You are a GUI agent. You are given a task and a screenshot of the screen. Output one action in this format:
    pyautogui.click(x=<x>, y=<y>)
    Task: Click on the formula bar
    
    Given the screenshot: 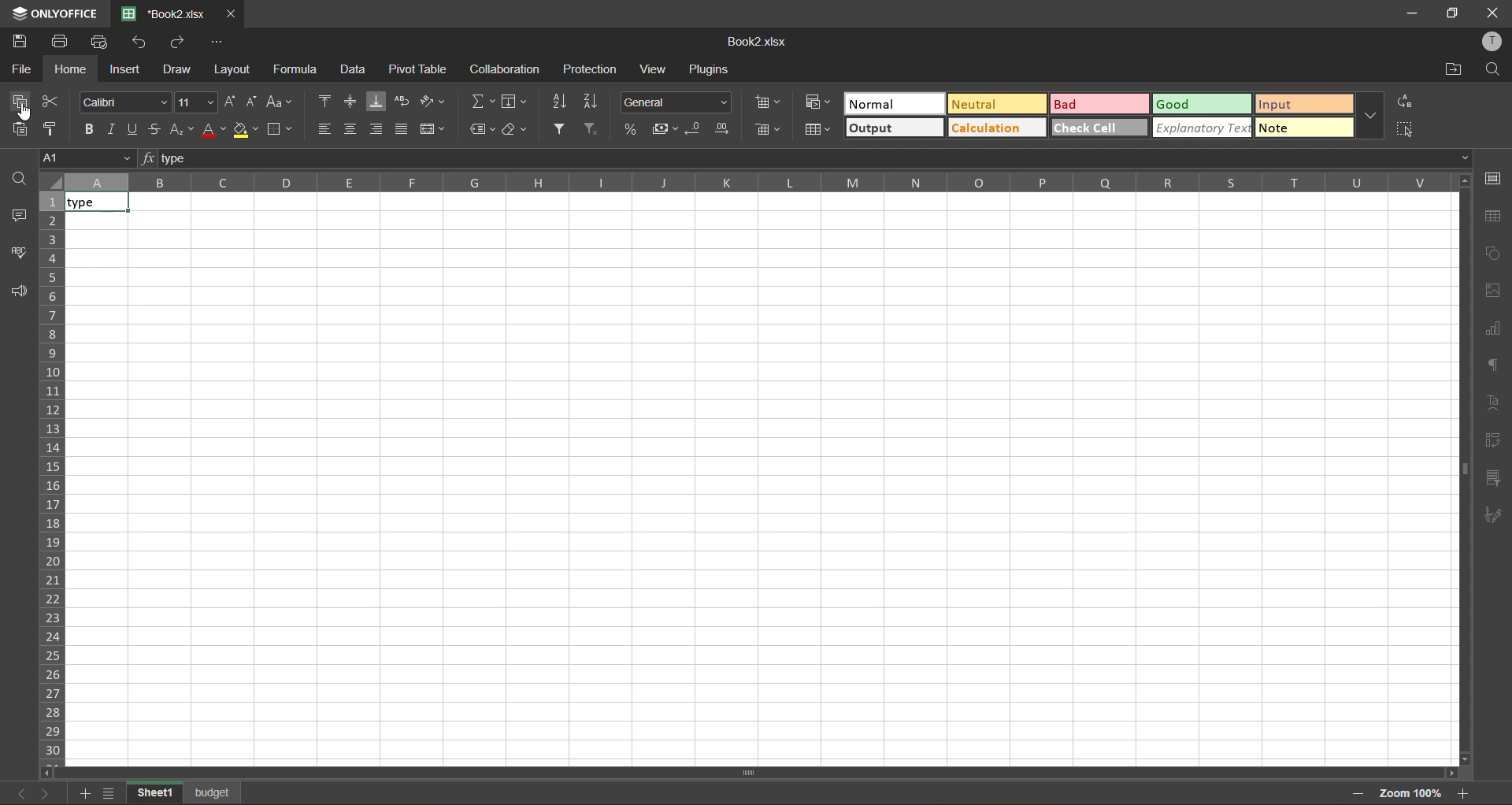 What is the action you would take?
    pyautogui.click(x=807, y=156)
    